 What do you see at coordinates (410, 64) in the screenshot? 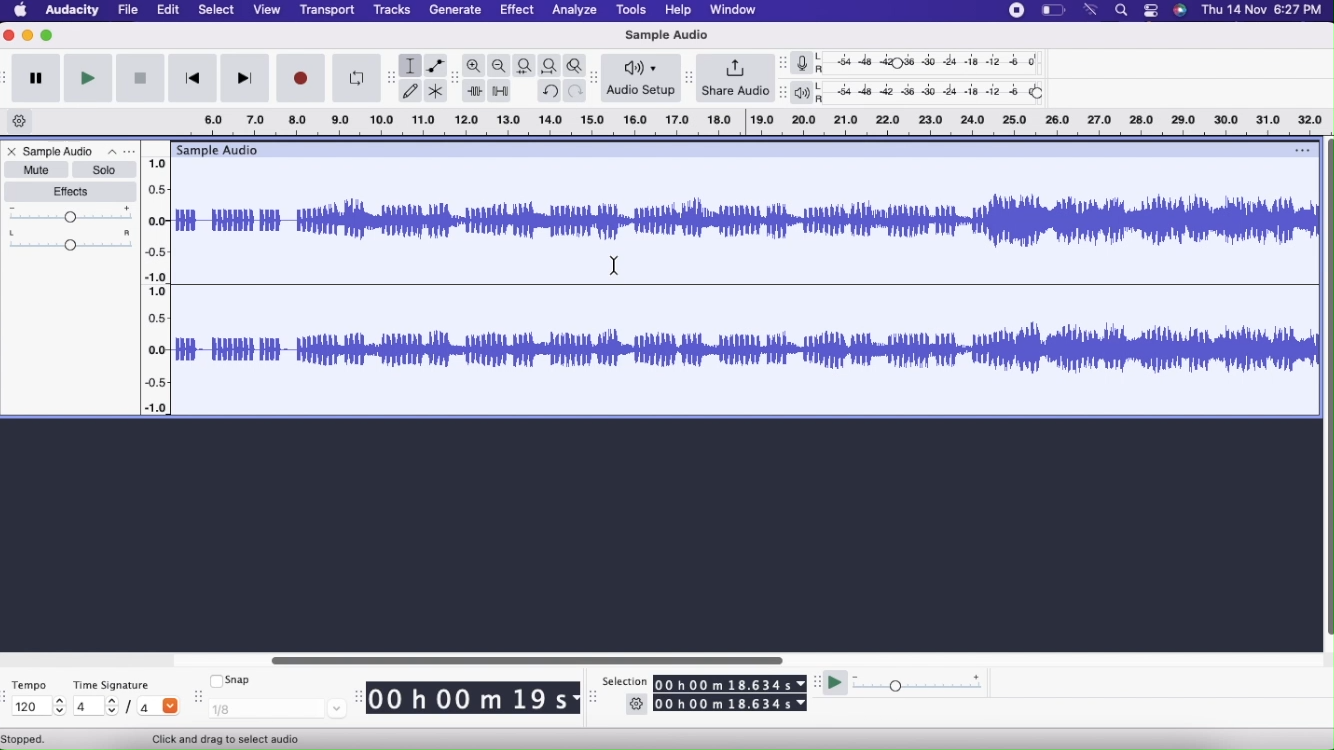
I see `Selection Tool` at bounding box center [410, 64].